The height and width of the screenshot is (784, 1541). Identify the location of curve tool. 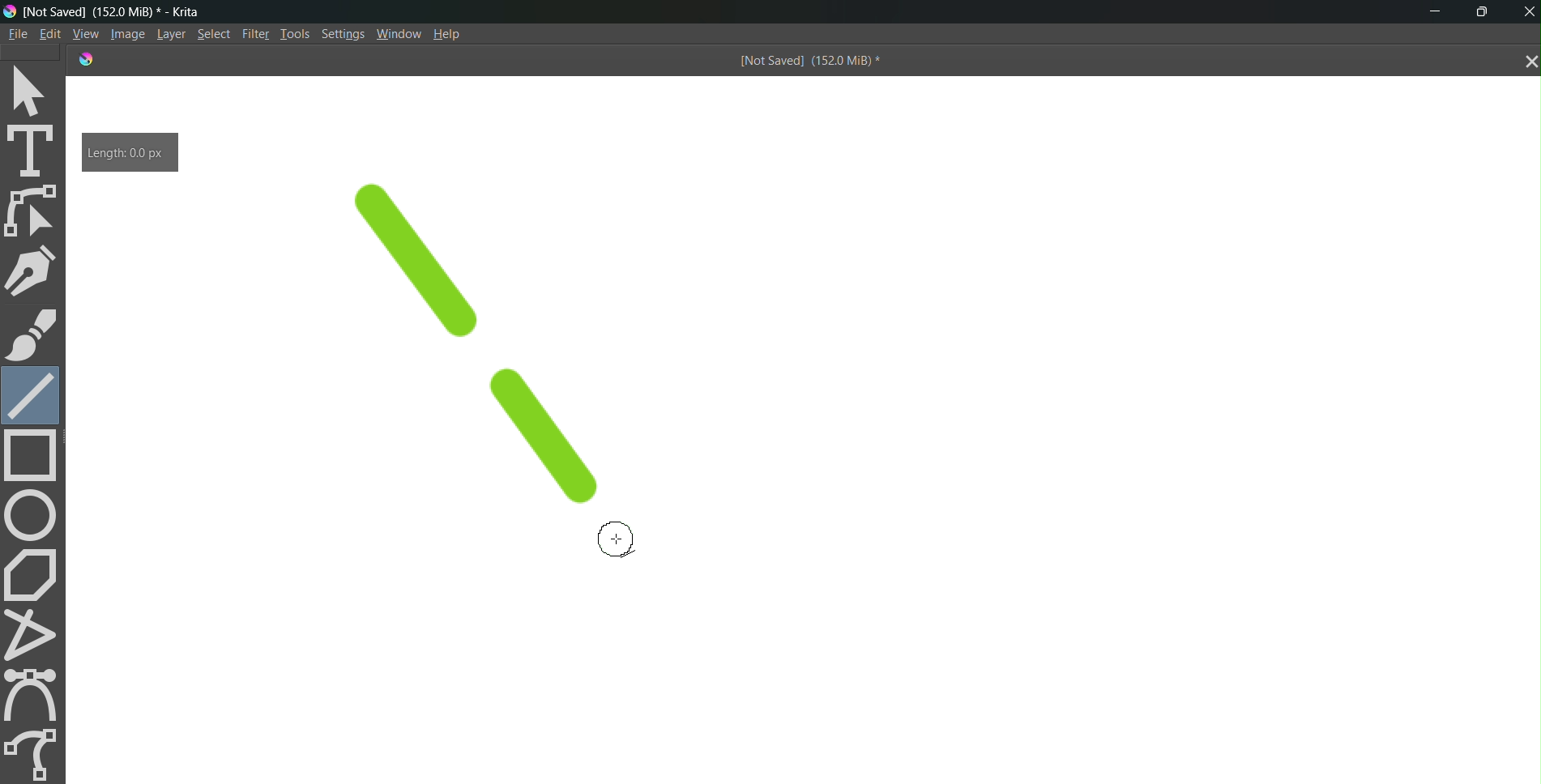
(36, 694).